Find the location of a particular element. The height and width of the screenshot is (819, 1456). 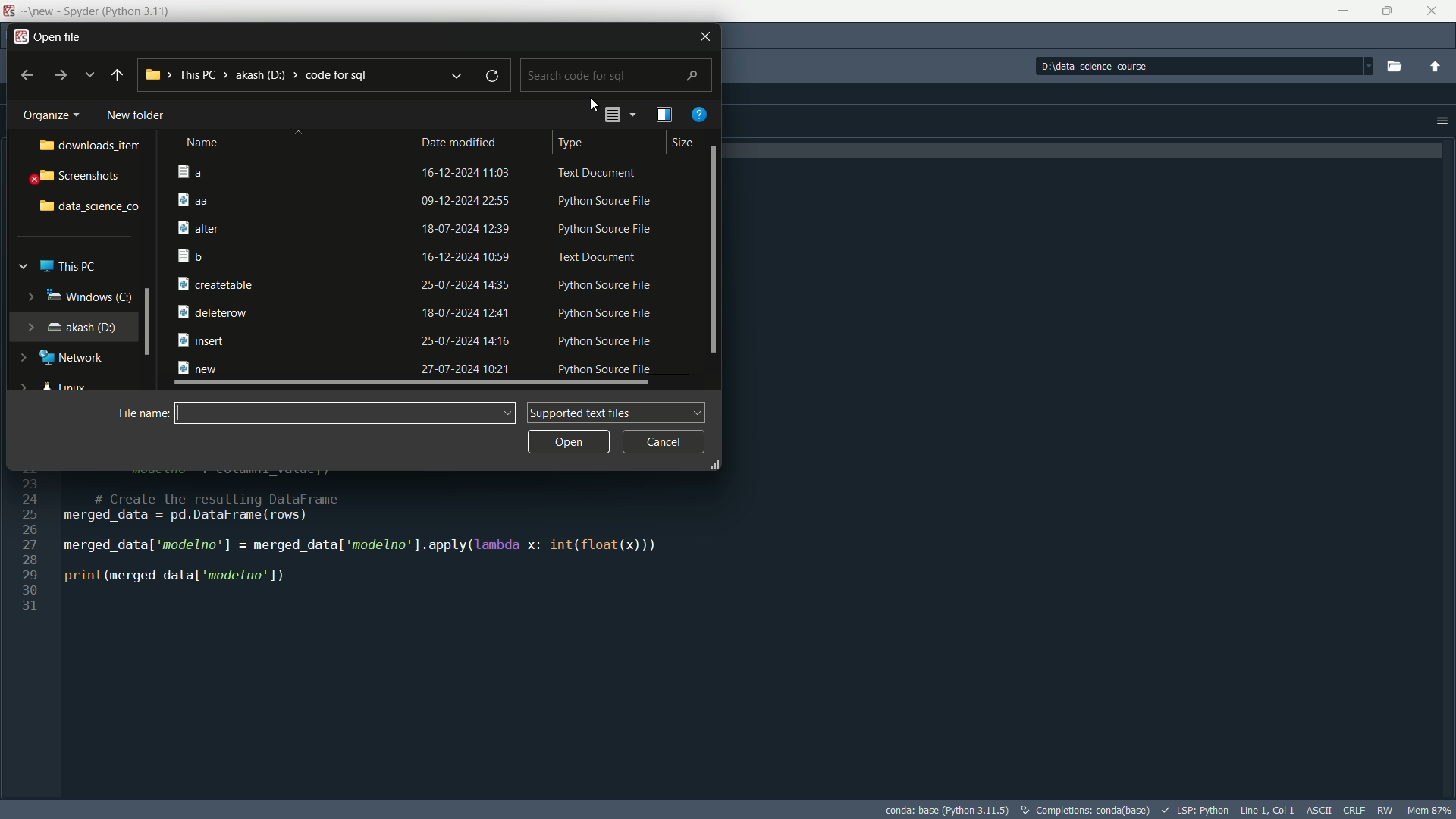

file encoding is located at coordinates (1322, 809).